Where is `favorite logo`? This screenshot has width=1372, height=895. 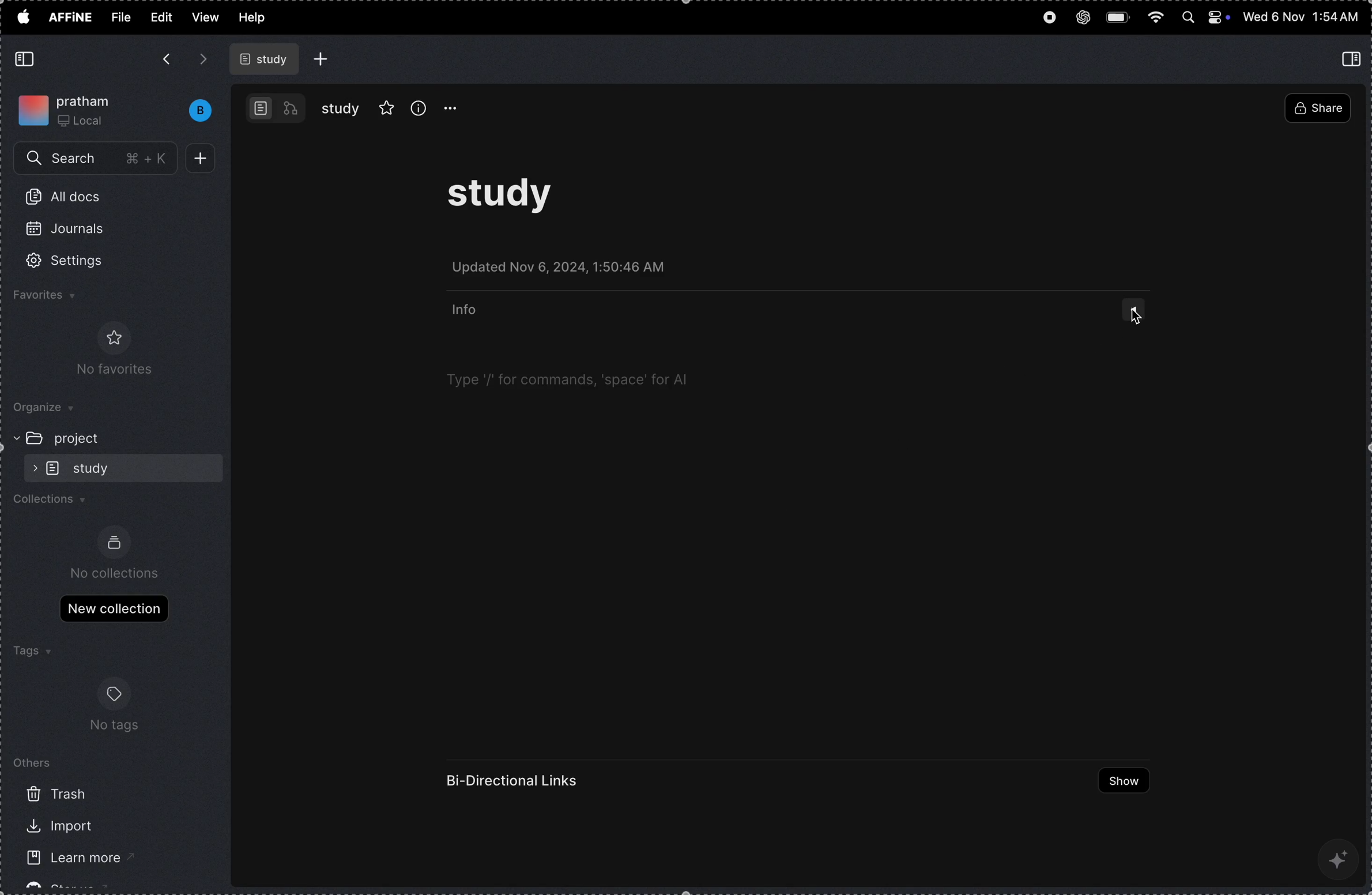 favorite logo is located at coordinates (111, 337).